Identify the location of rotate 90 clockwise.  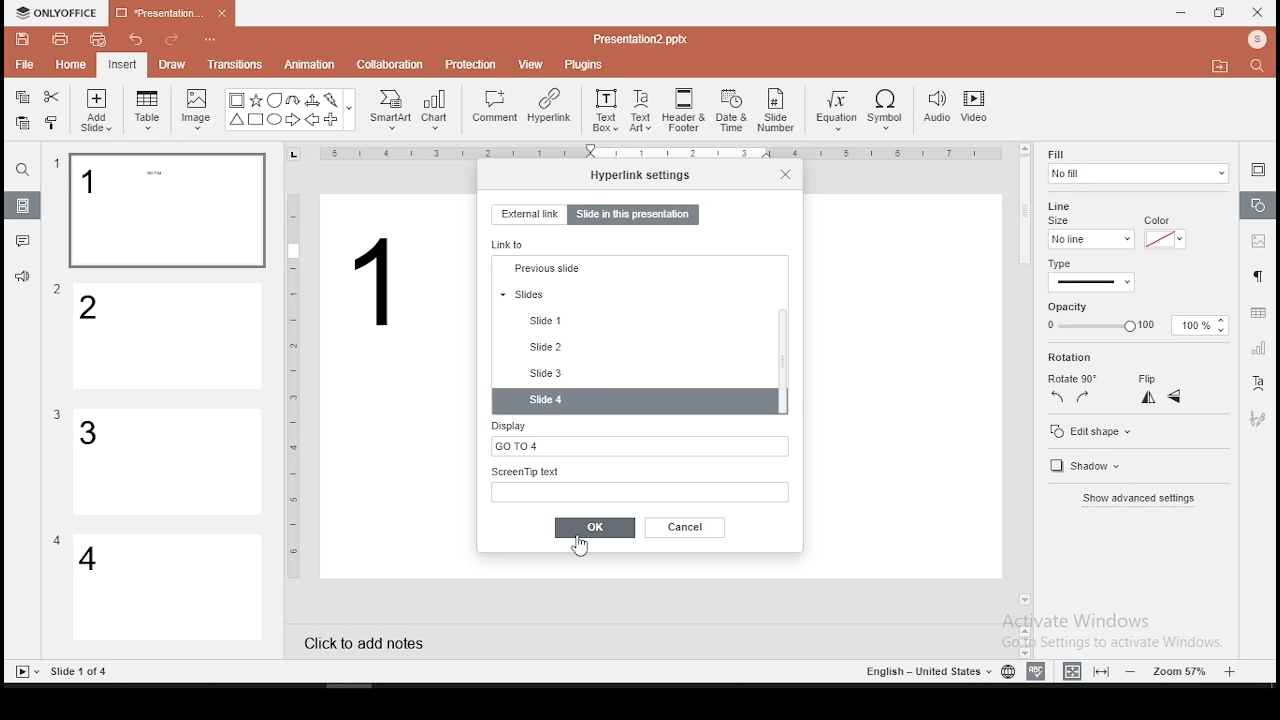
(1084, 396).